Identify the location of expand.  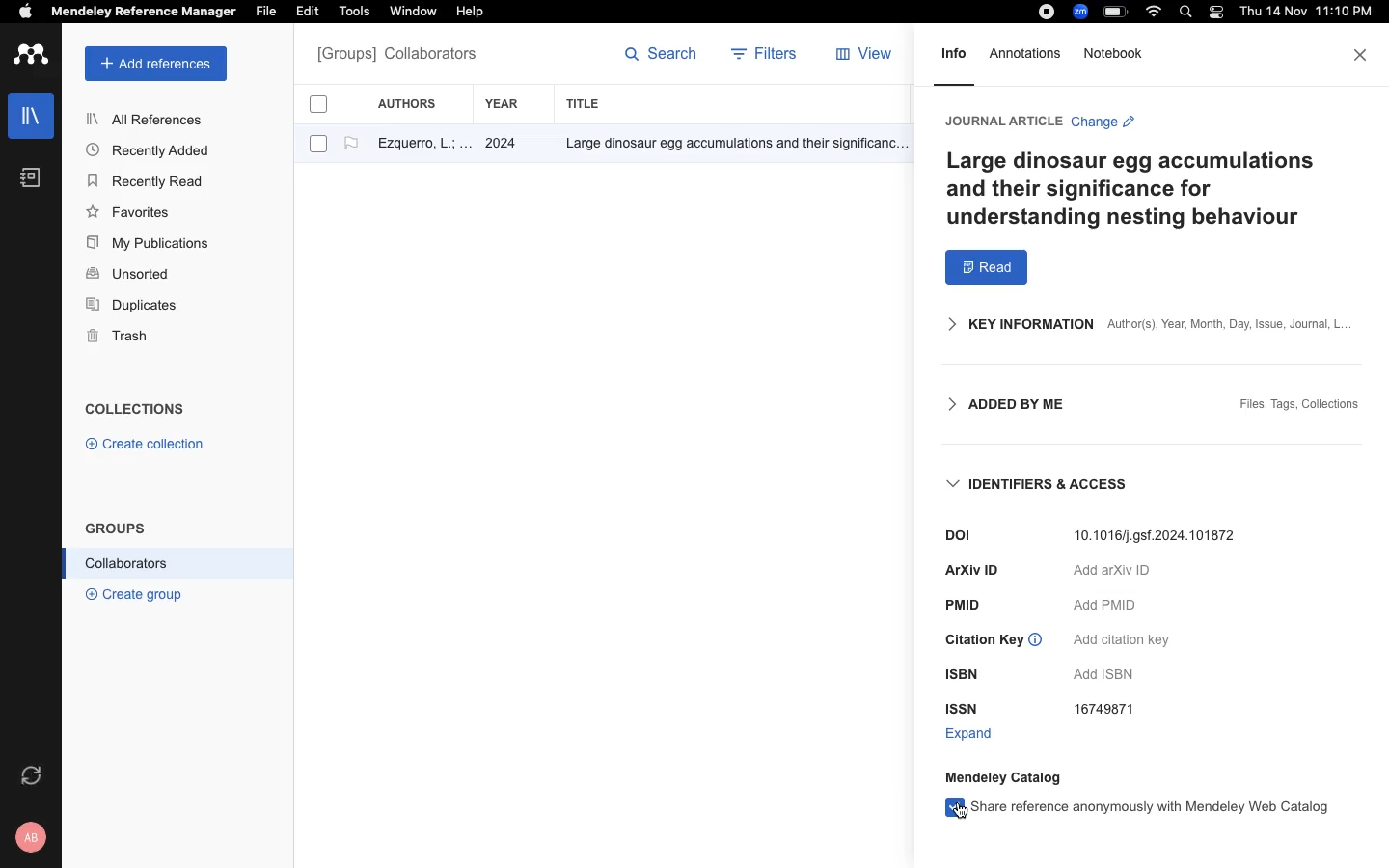
(969, 734).